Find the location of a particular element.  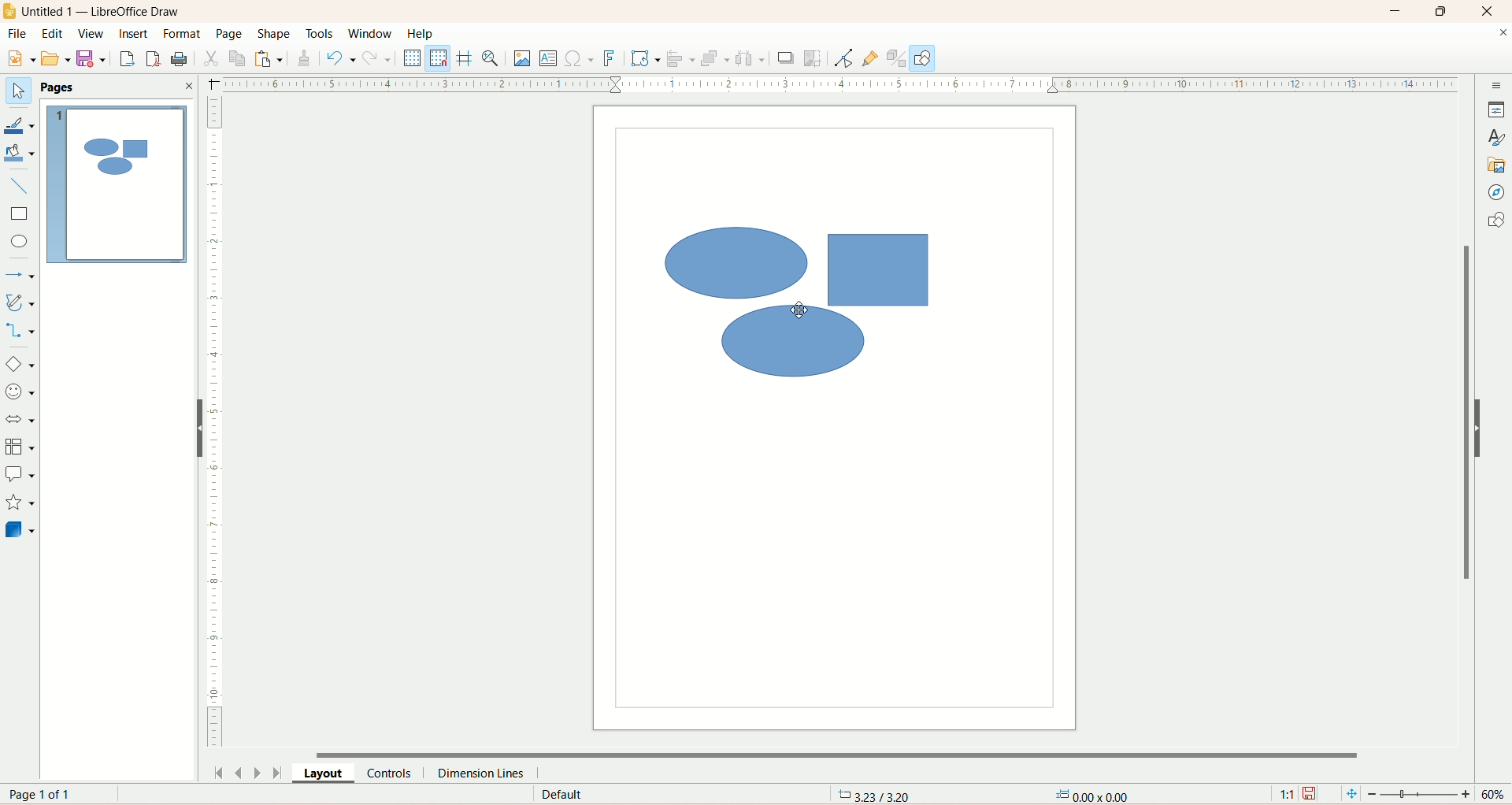

navigator is located at coordinates (1497, 193).